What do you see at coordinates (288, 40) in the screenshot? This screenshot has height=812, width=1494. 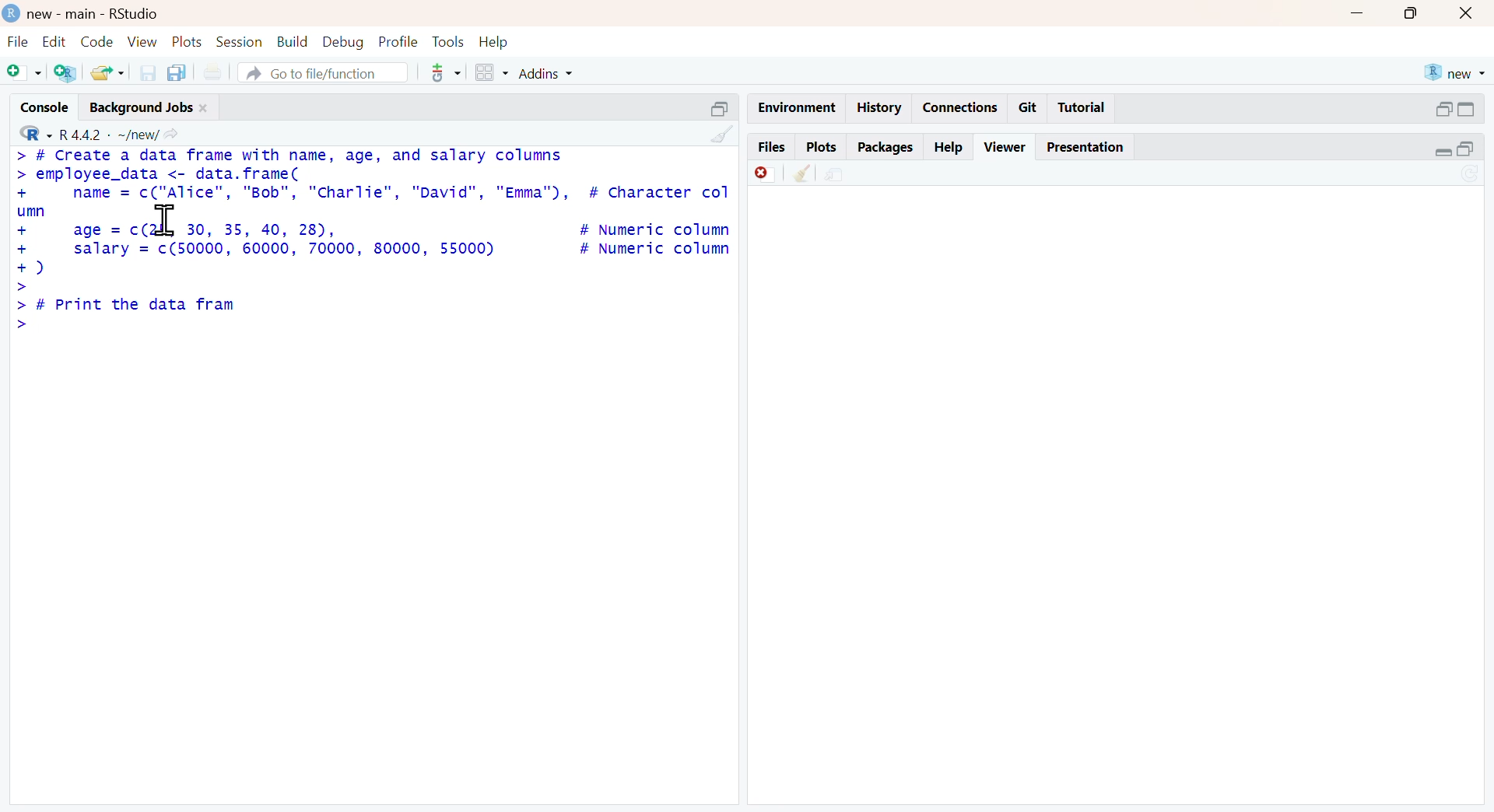 I see `Build` at bounding box center [288, 40].